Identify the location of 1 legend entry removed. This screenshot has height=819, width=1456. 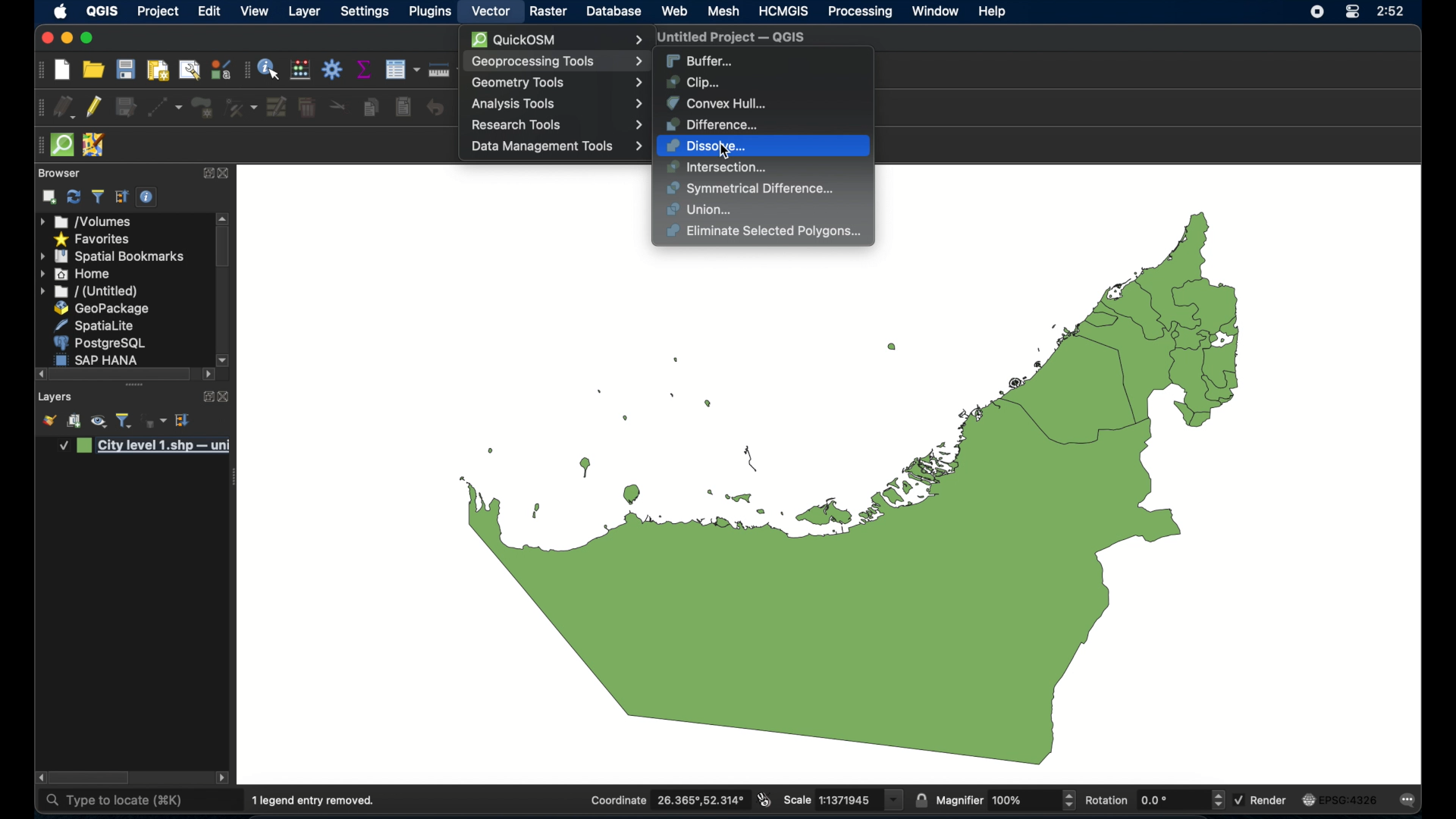
(315, 801).